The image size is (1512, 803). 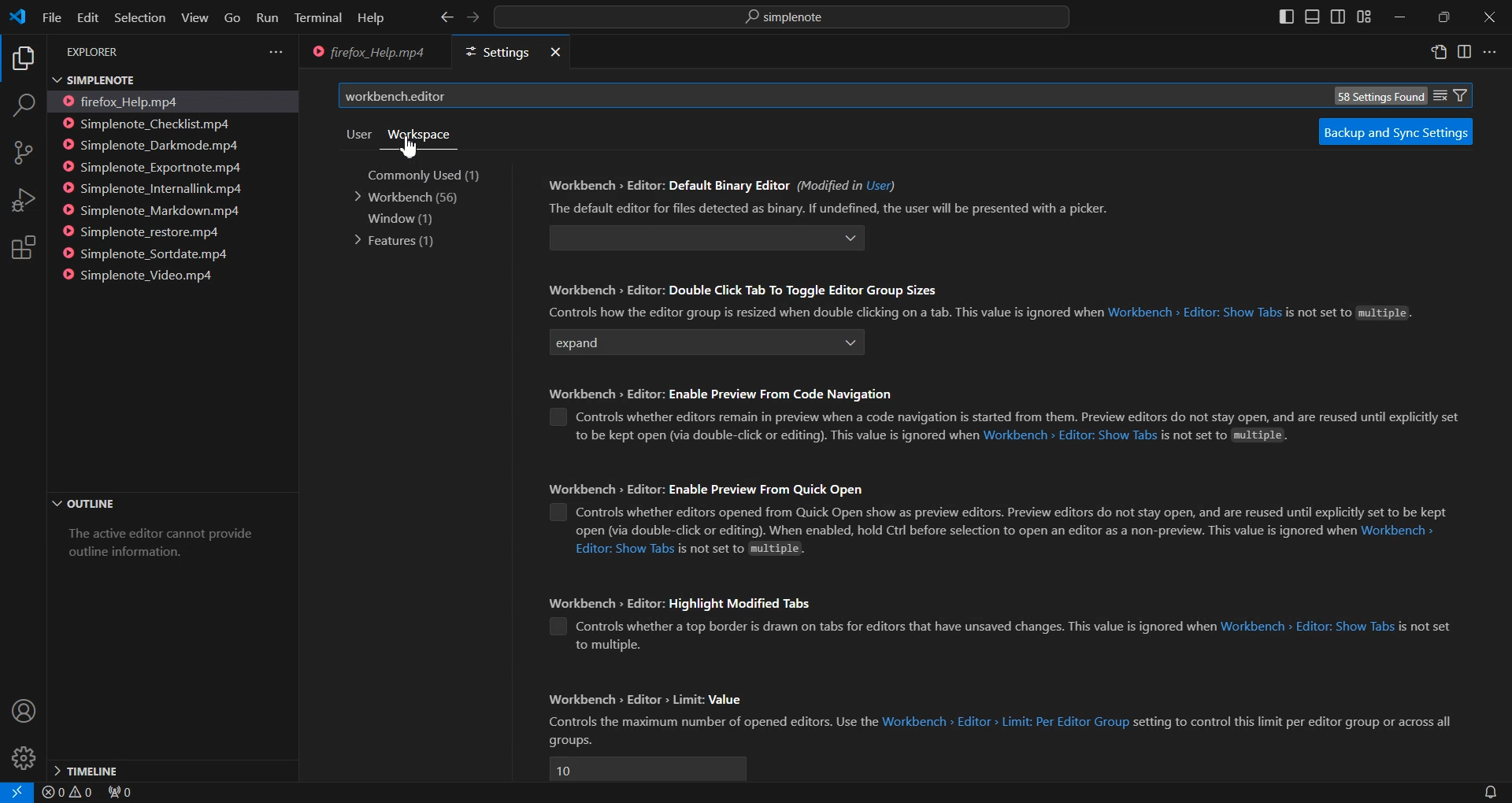 What do you see at coordinates (1225, 436) in the screenshot?
I see `is not set to multiple.` at bounding box center [1225, 436].